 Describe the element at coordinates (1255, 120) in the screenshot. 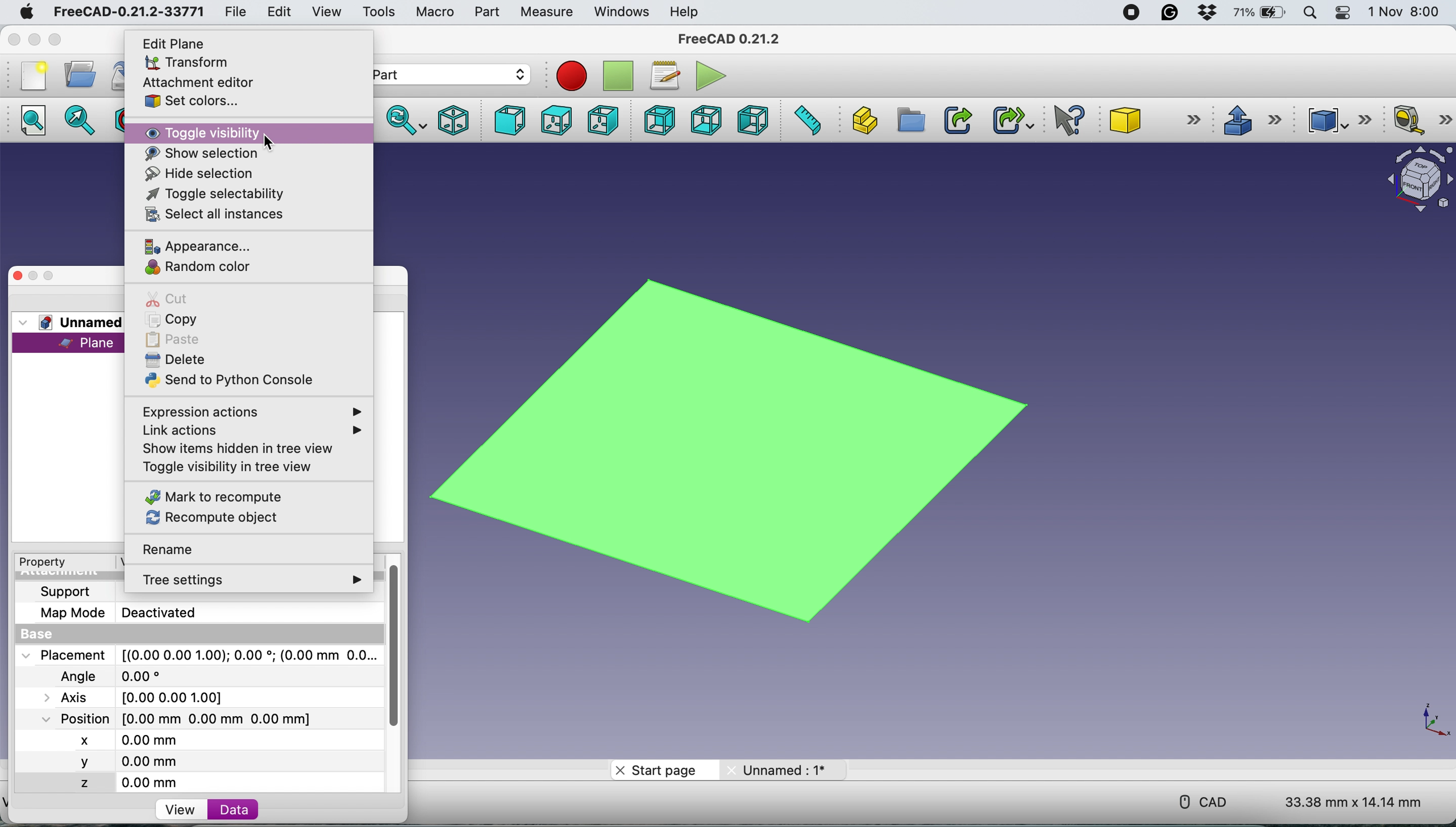

I see `extrude` at that location.